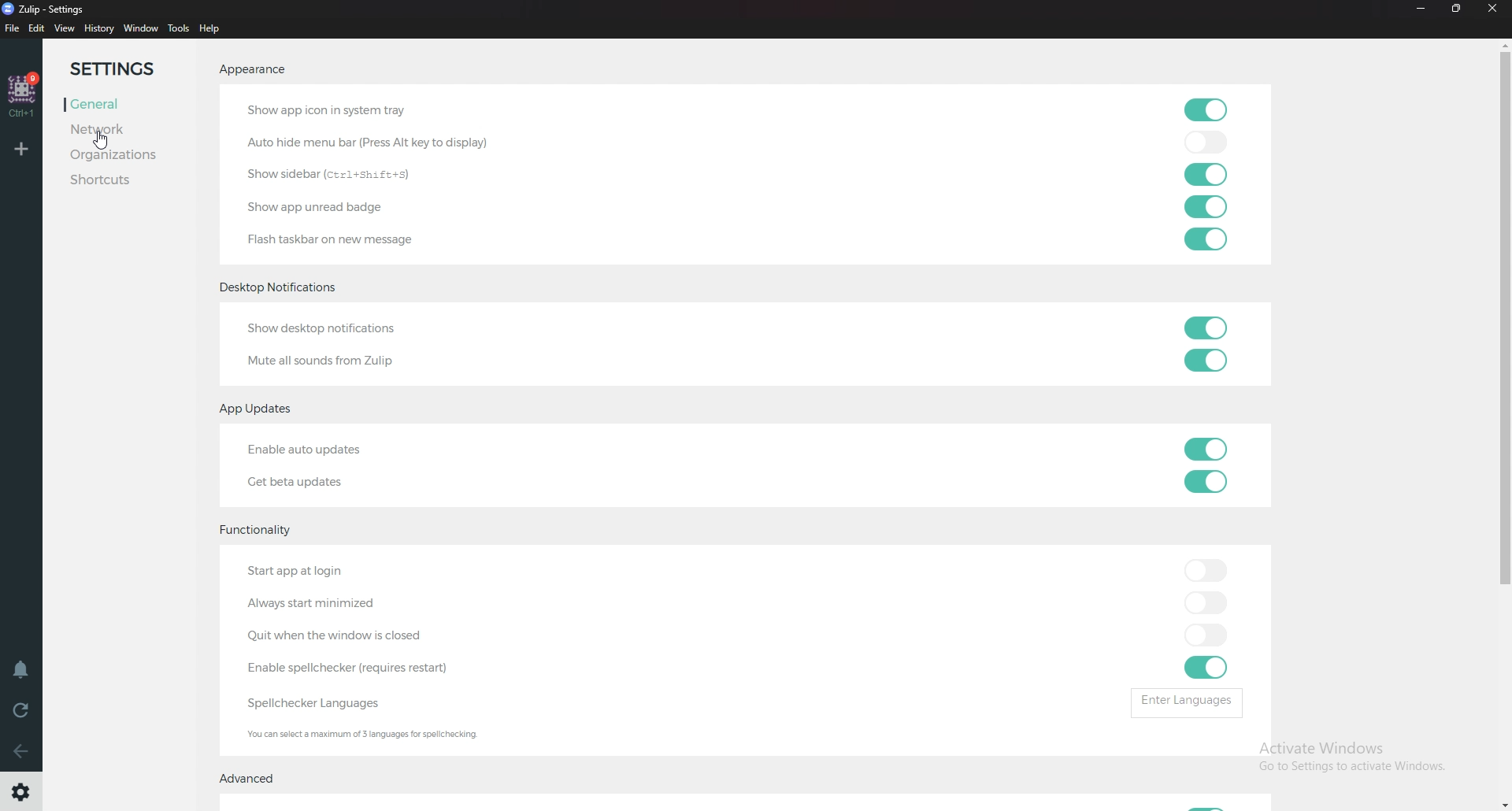 The image size is (1512, 811). I want to click on toggle, so click(1207, 482).